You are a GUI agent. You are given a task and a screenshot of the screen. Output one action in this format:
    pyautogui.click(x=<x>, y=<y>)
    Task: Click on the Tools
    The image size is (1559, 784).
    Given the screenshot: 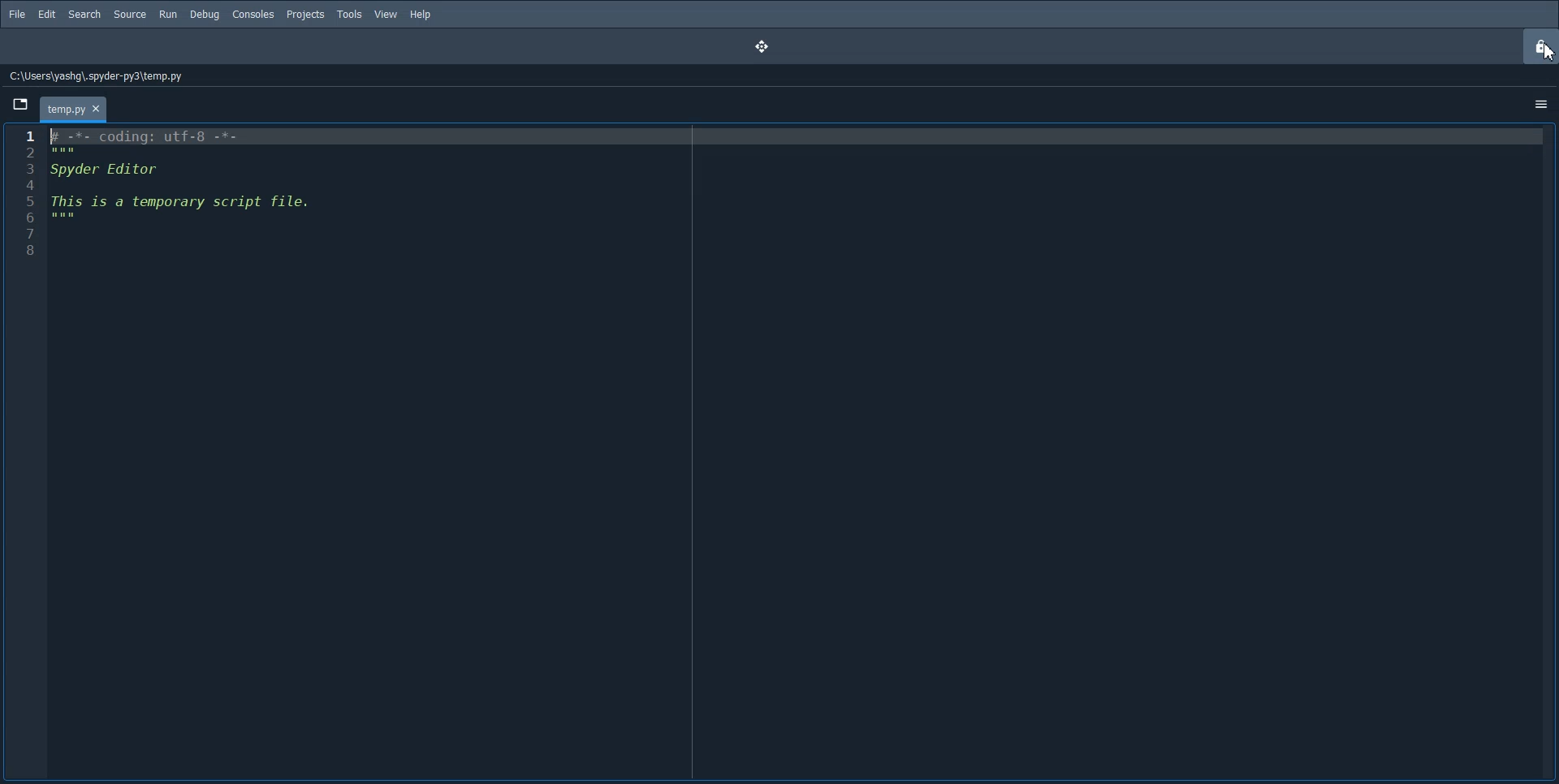 What is the action you would take?
    pyautogui.click(x=350, y=15)
    